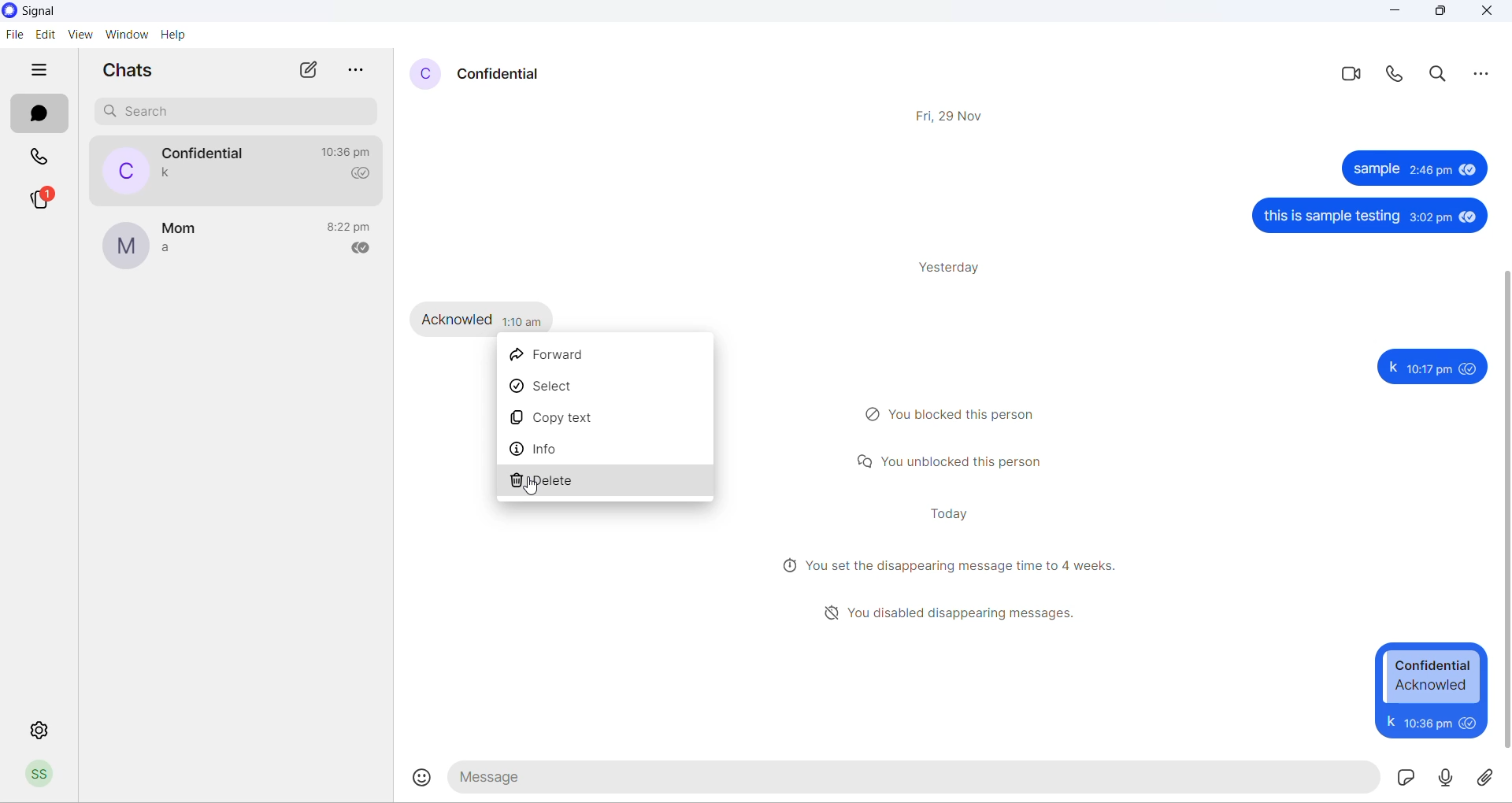  What do you see at coordinates (1432, 170) in the screenshot?
I see `2: 46 pm` at bounding box center [1432, 170].